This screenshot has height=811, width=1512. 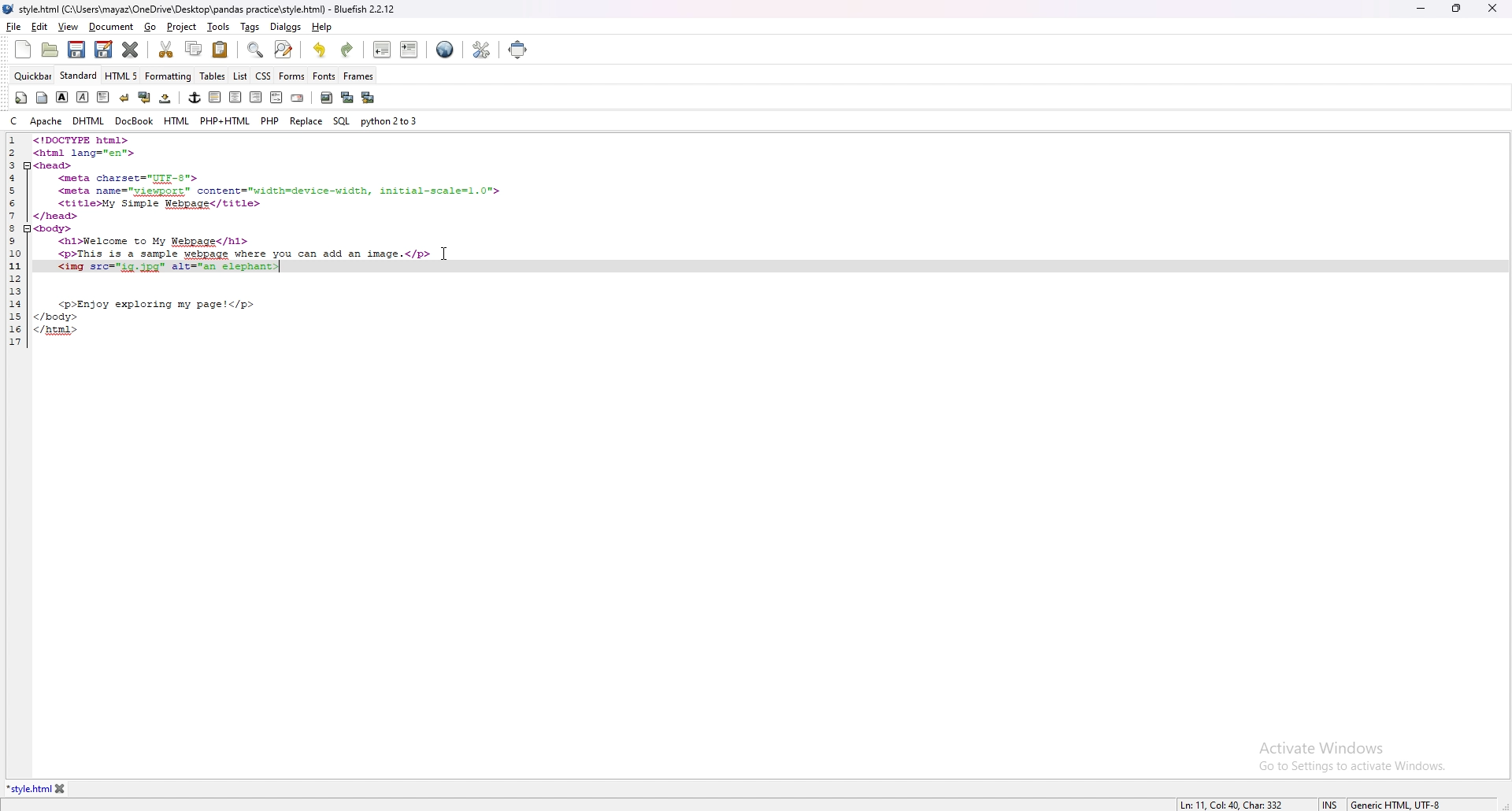 What do you see at coordinates (1421, 9) in the screenshot?
I see `minimize` at bounding box center [1421, 9].